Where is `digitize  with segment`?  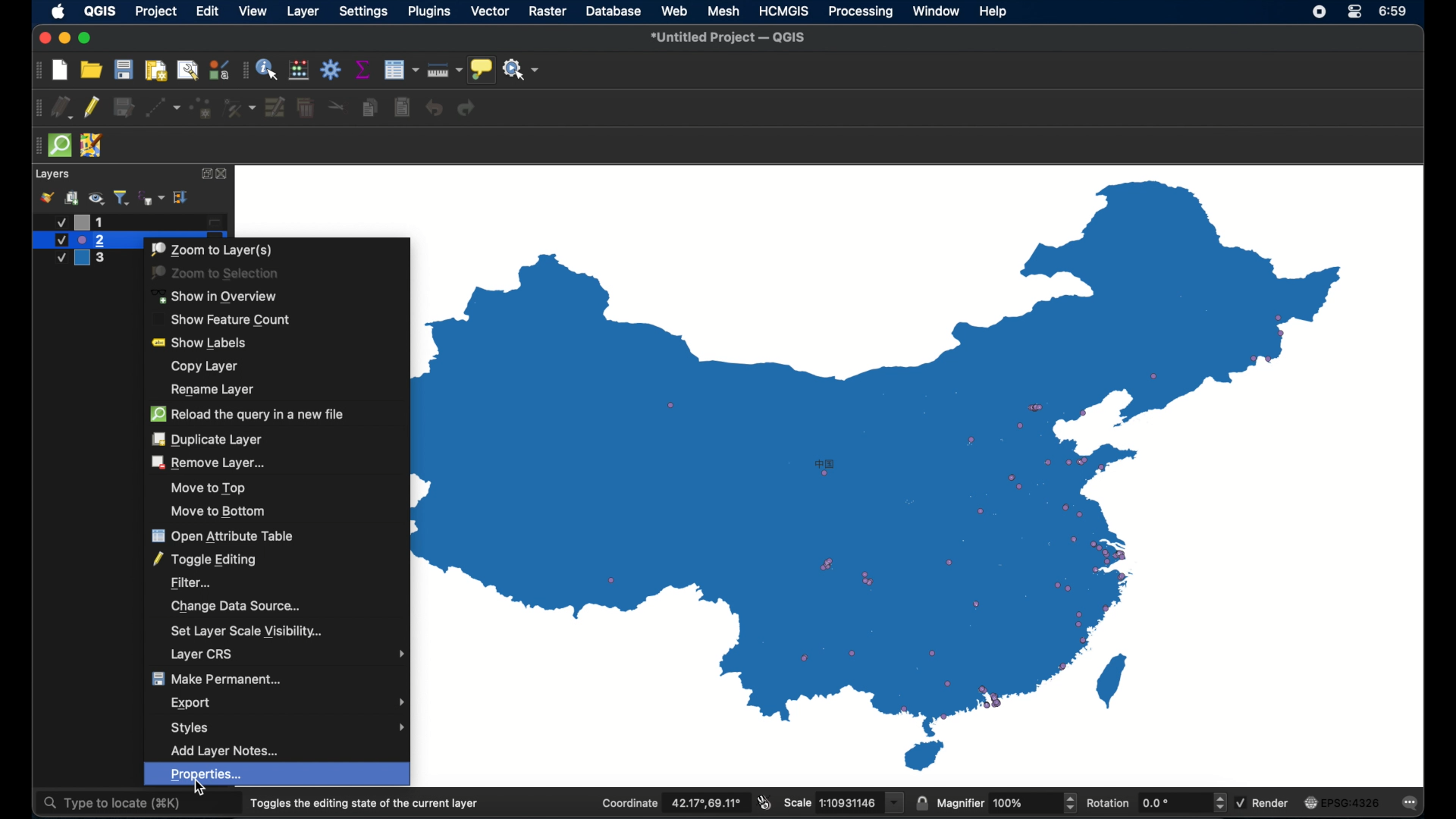
digitize  with segment is located at coordinates (163, 108).